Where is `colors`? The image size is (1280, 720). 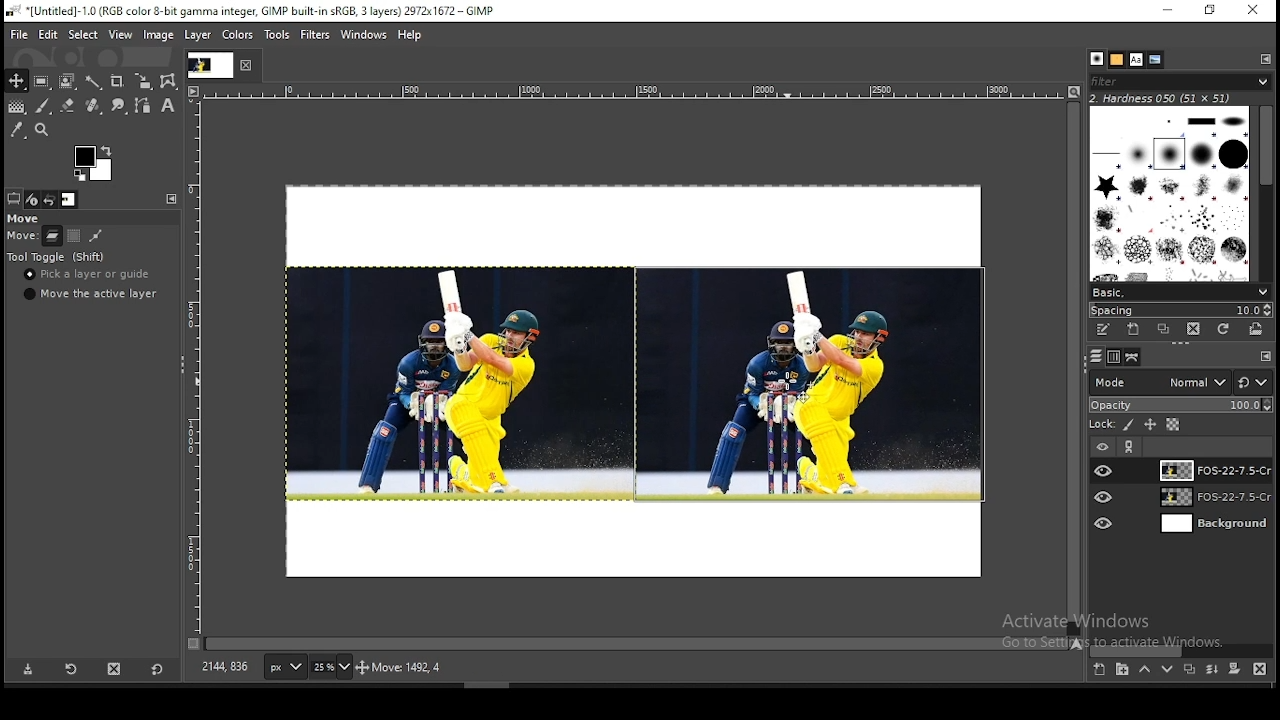
colors is located at coordinates (240, 36).